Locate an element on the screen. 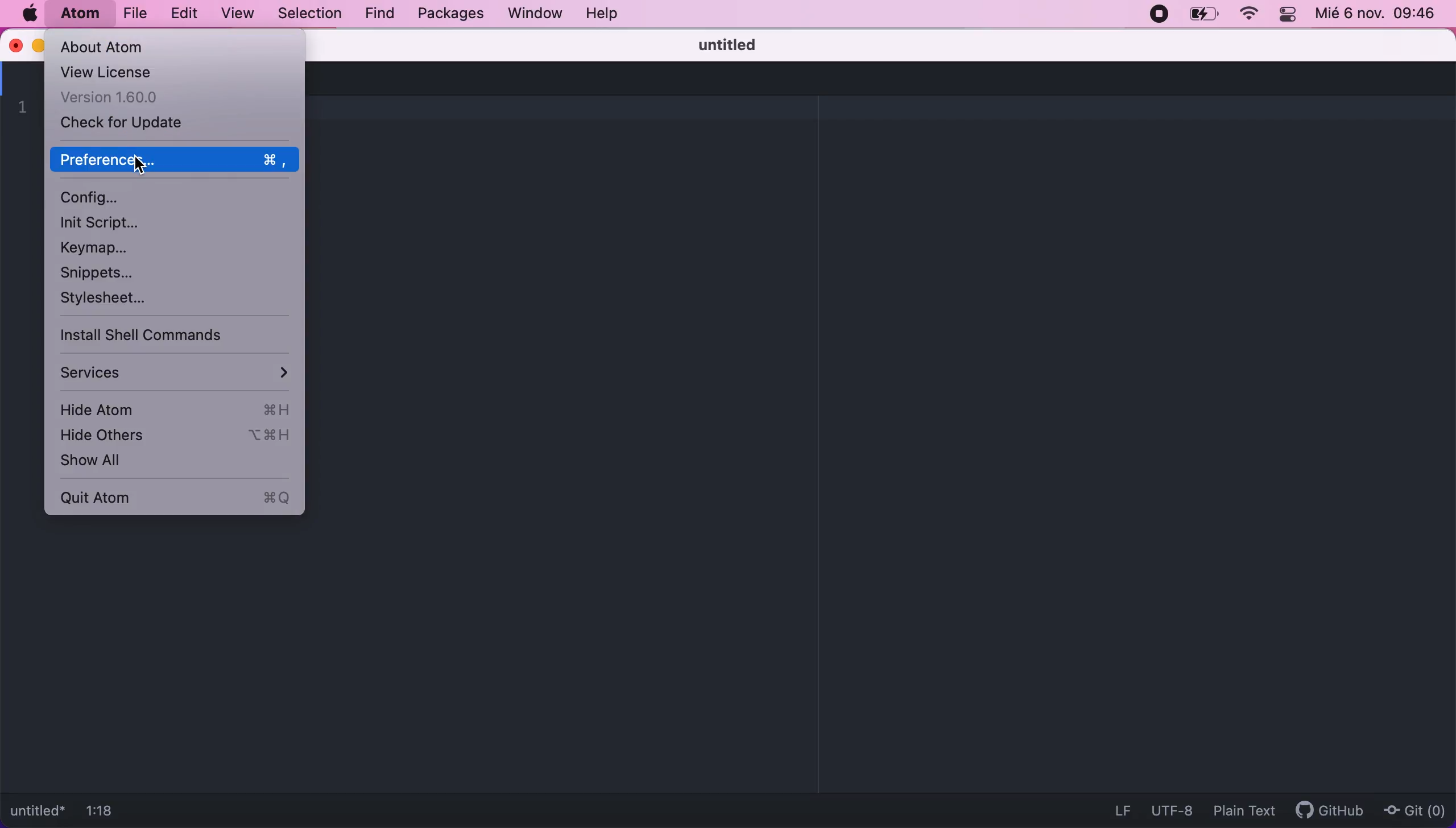 The height and width of the screenshot is (828, 1456). minimize is located at coordinates (39, 44).